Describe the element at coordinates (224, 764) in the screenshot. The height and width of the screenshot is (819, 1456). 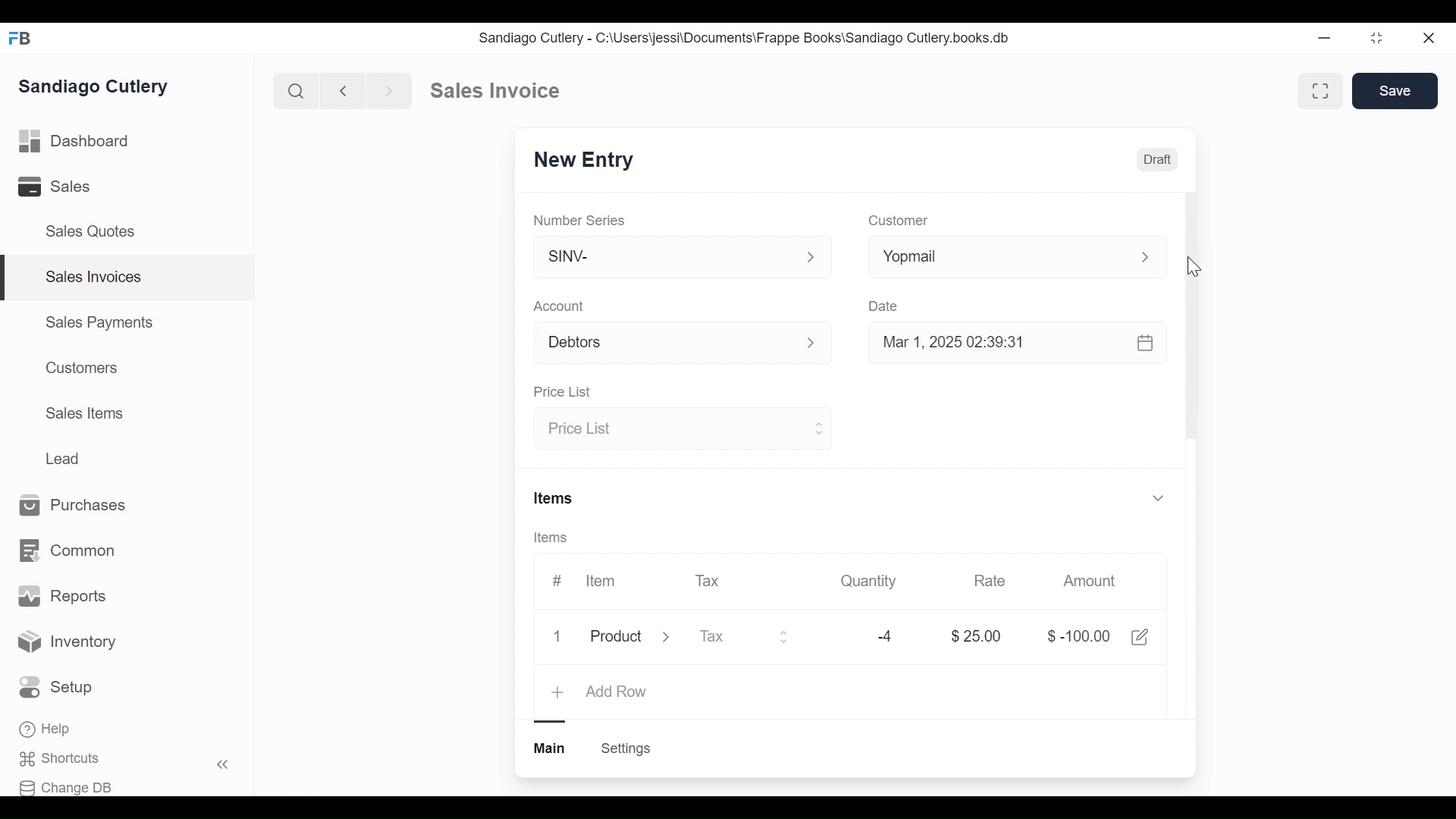
I see `Hide sidebar` at that location.